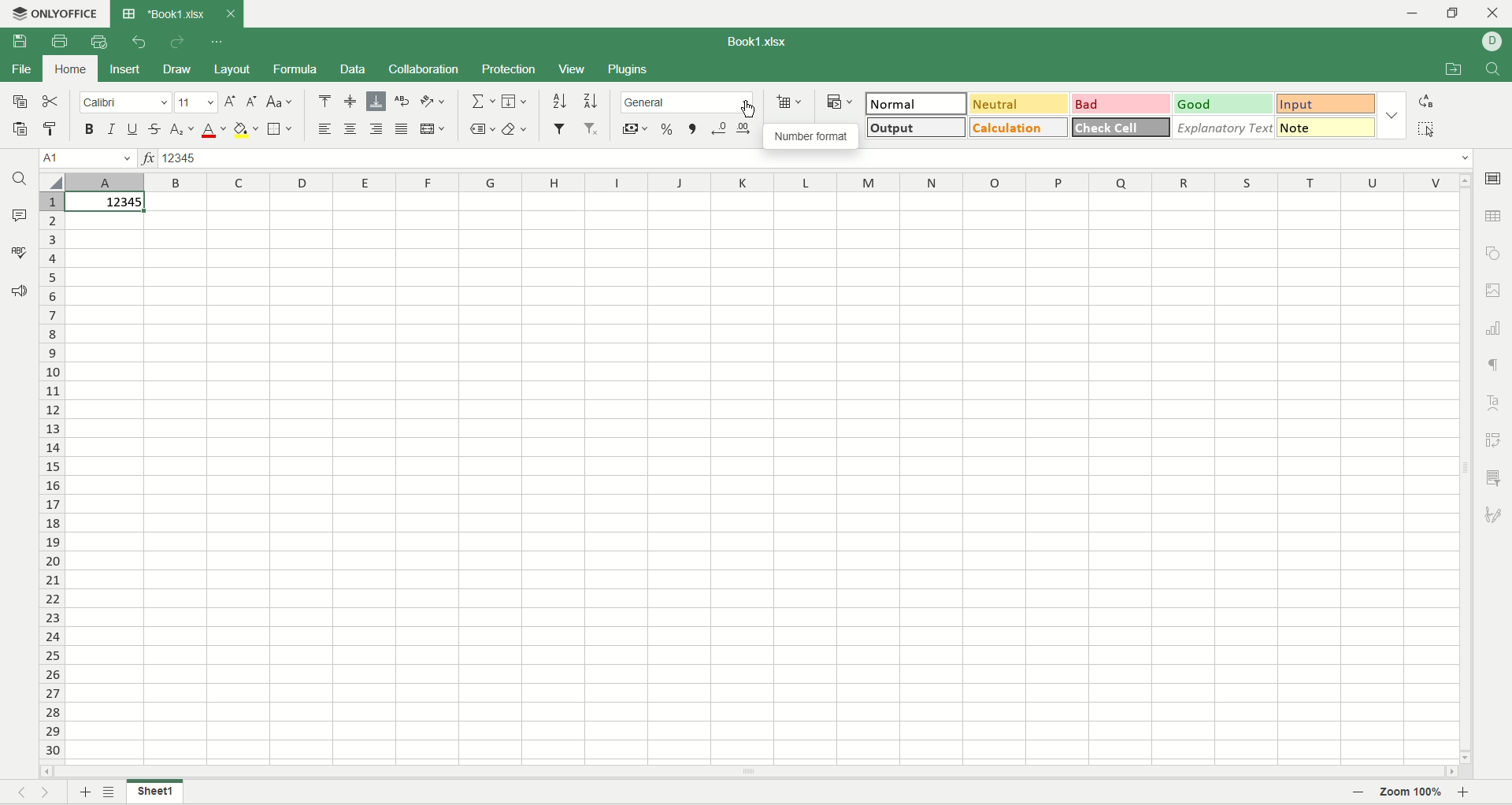 The image size is (1512, 805). Describe the element at coordinates (517, 130) in the screenshot. I see `clear` at that location.